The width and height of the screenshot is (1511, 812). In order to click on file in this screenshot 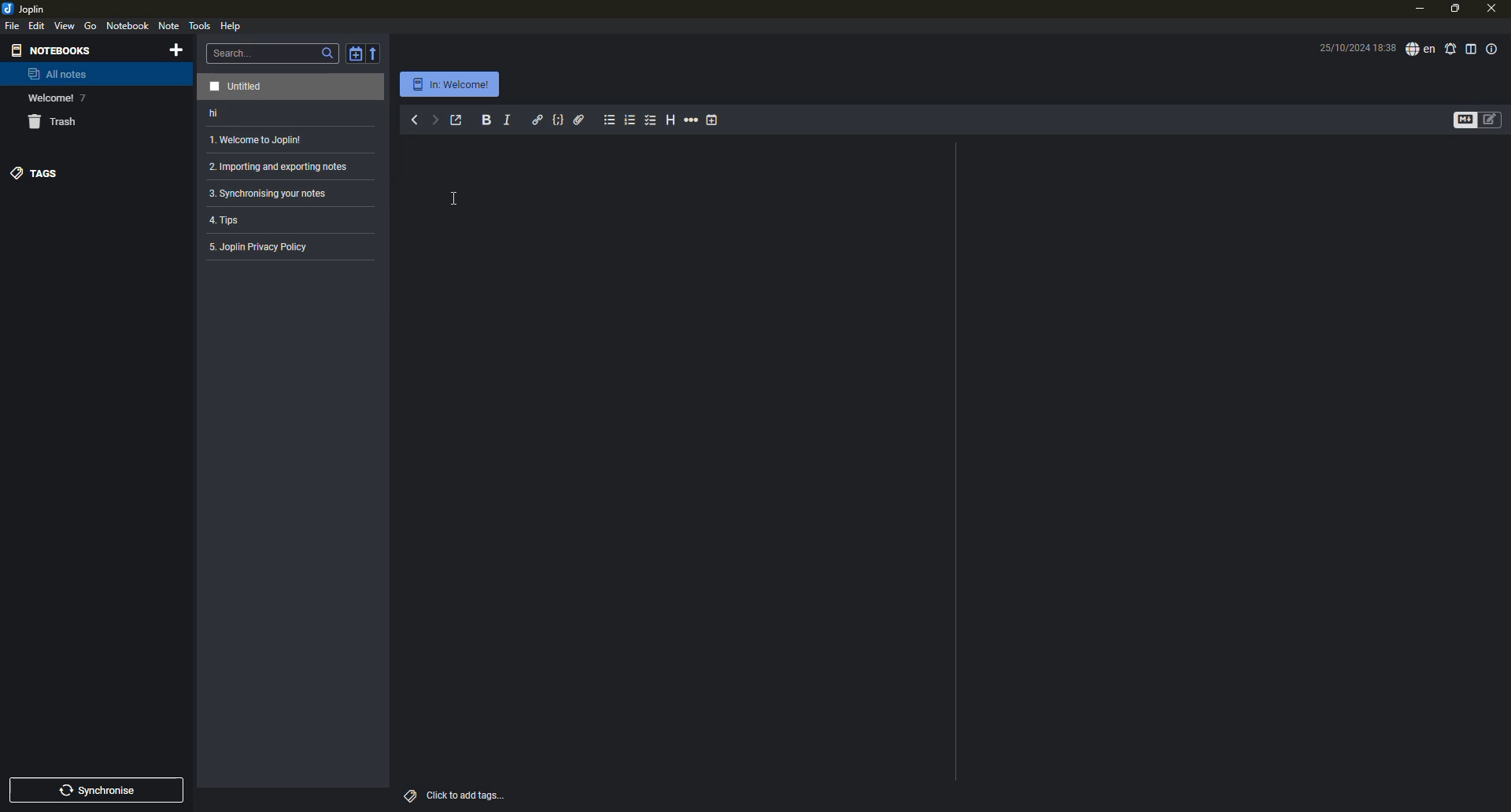, I will do `click(12, 25)`.